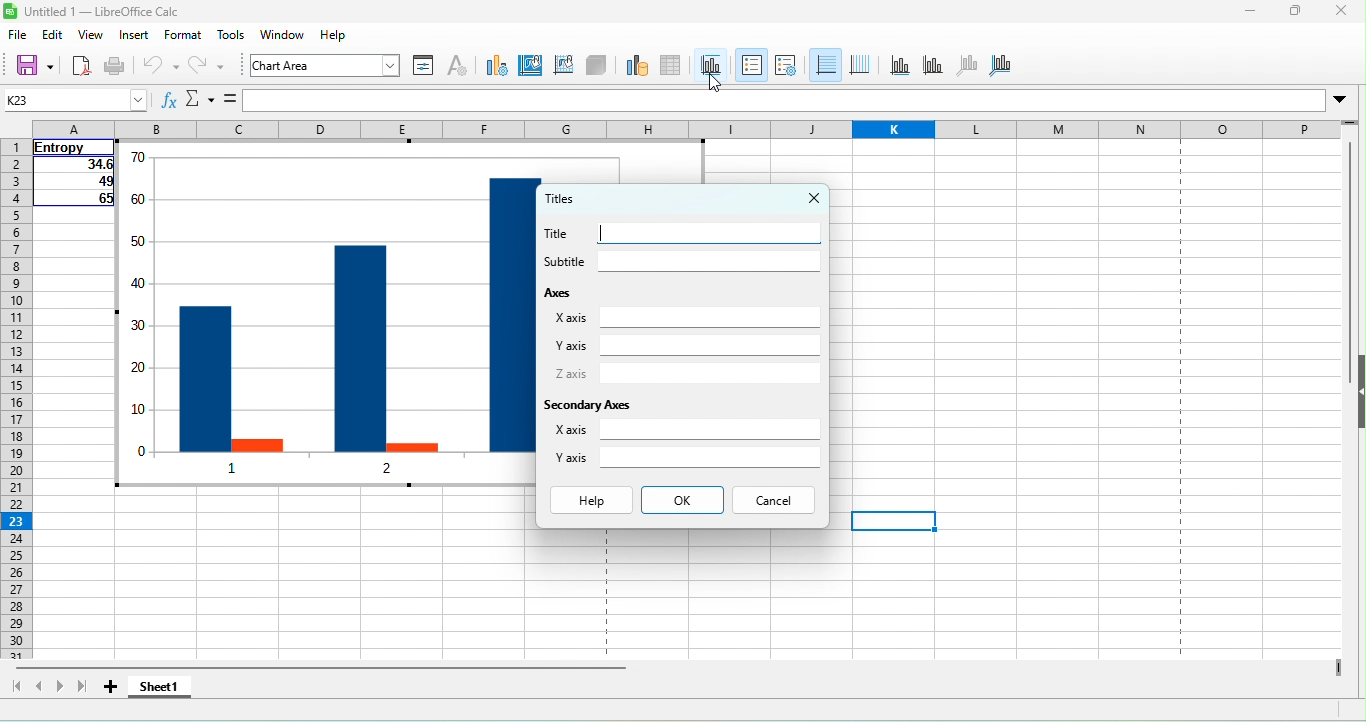  Describe the element at coordinates (711, 59) in the screenshot. I see `titles` at that location.